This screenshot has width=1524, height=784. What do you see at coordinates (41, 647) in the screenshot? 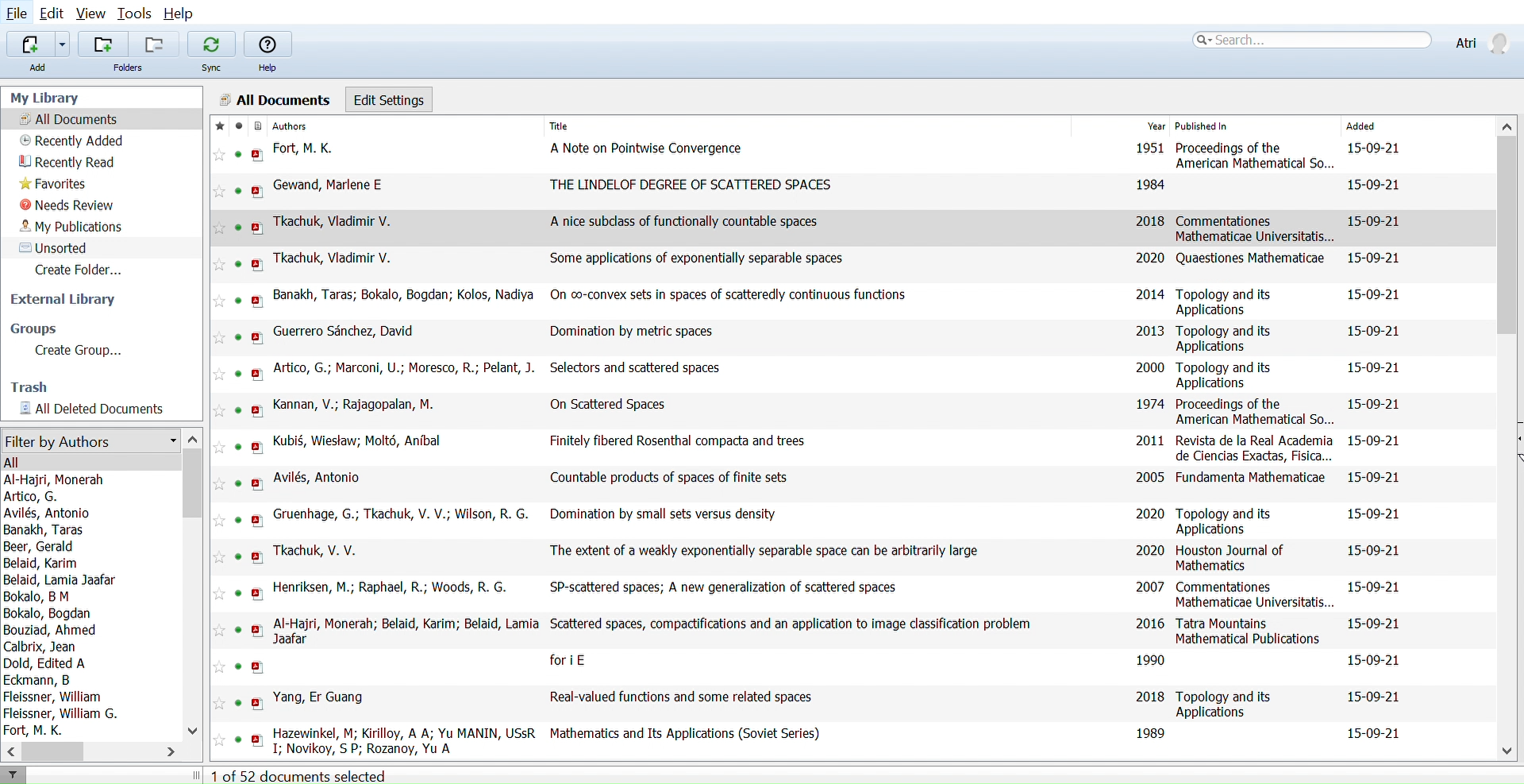
I see `Calbrix, Jean` at bounding box center [41, 647].